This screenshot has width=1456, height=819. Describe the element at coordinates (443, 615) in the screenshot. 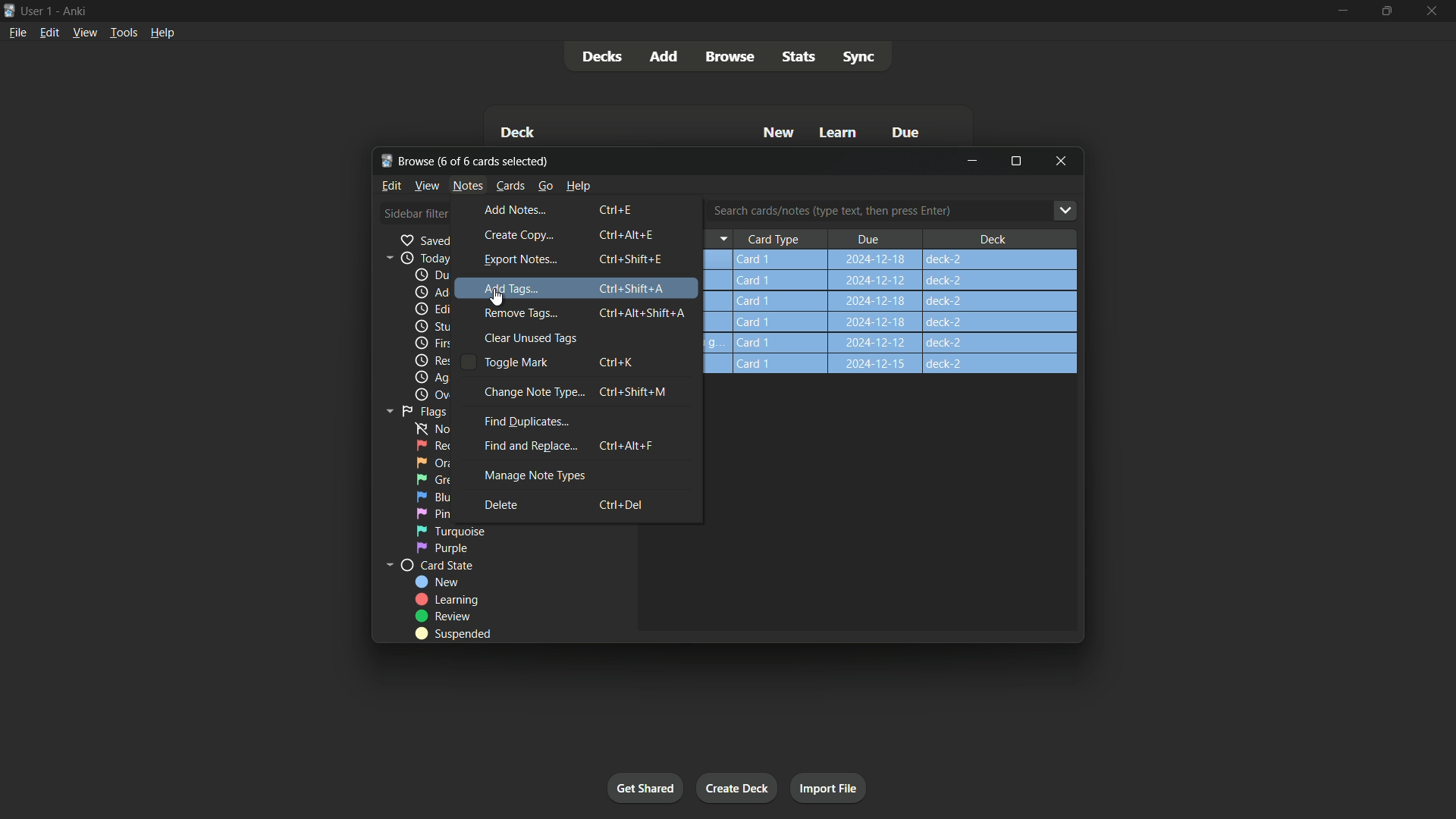

I see `review` at that location.